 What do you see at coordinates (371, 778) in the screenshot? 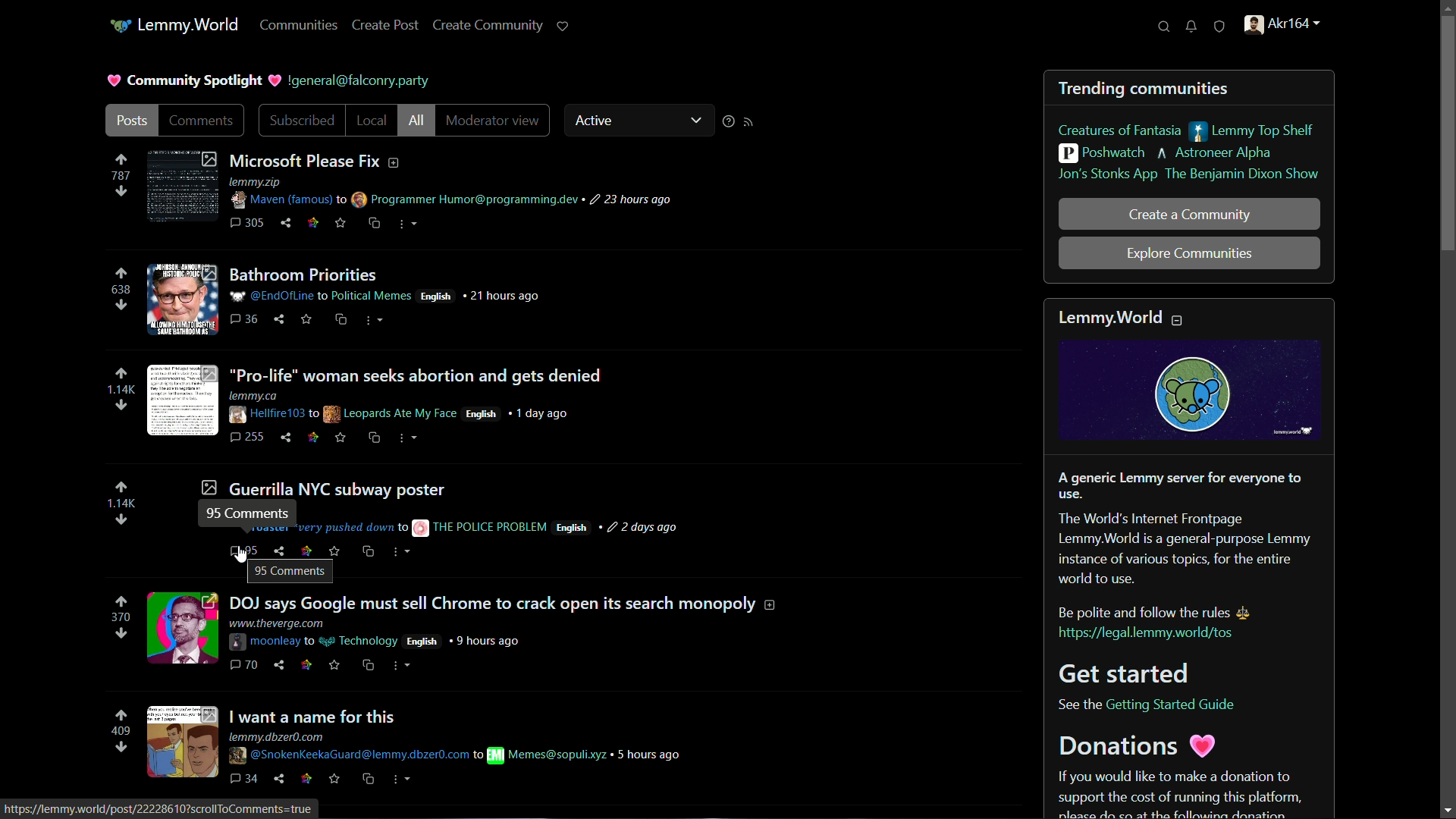
I see `cross post` at bounding box center [371, 778].